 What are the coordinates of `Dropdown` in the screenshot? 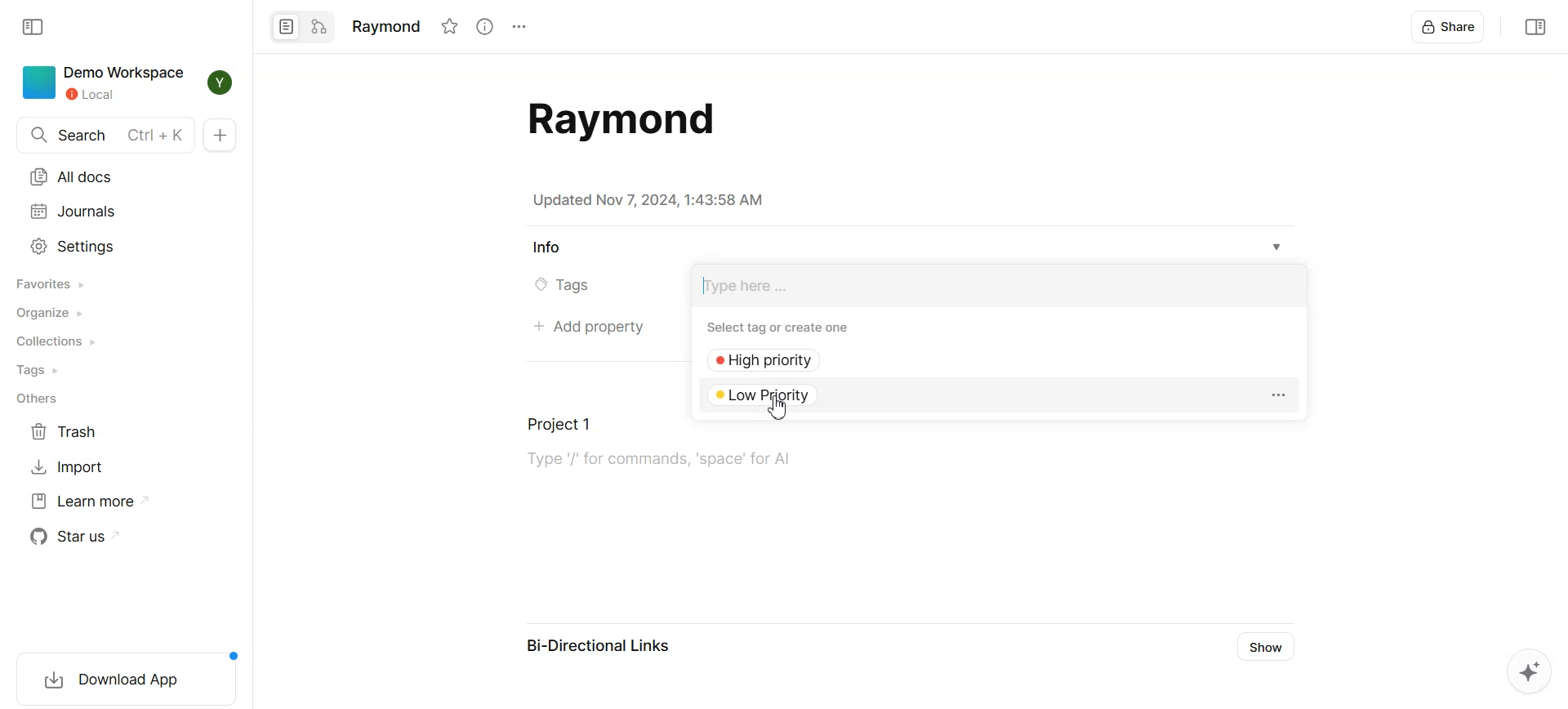 It's located at (1277, 247).